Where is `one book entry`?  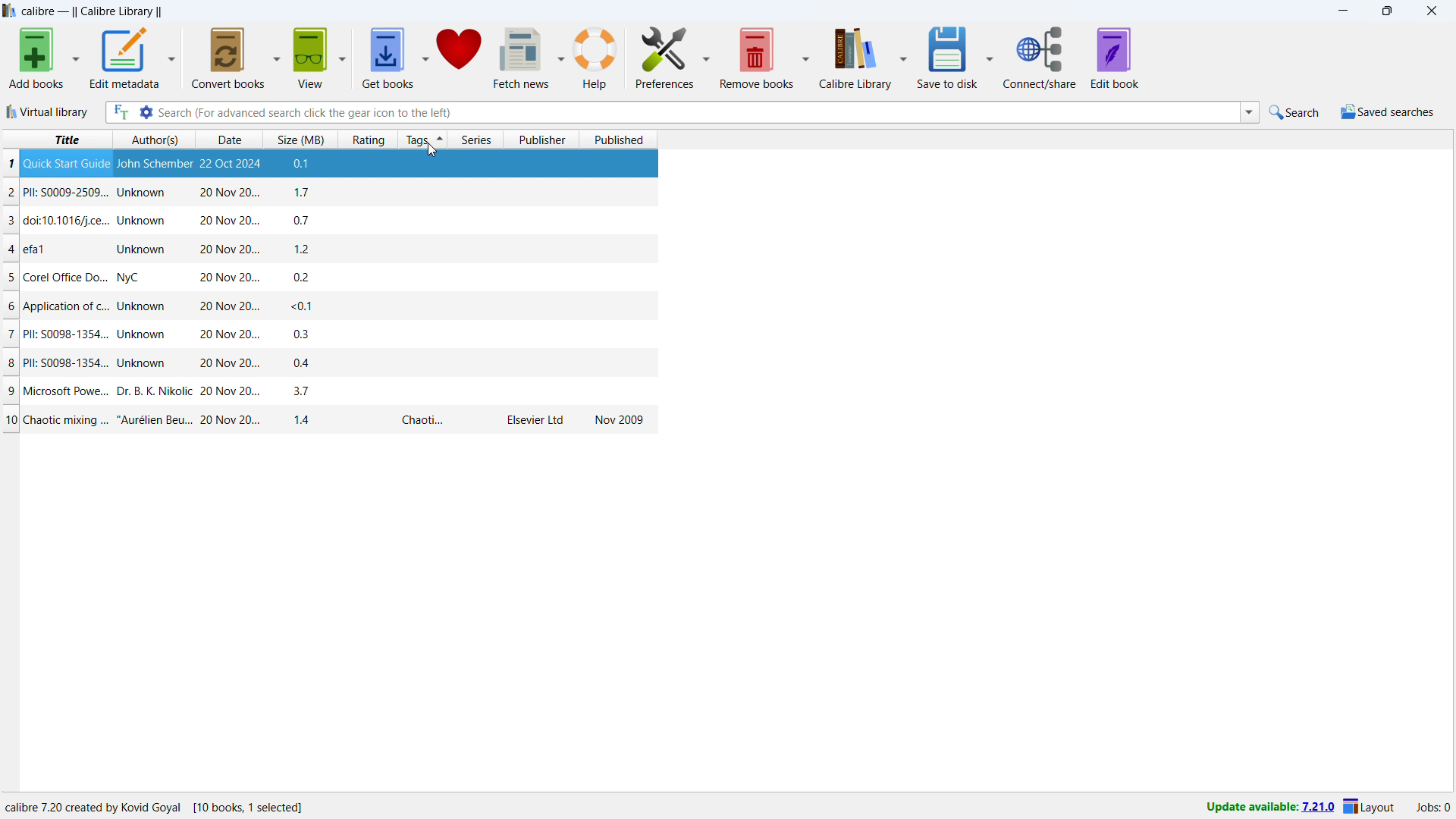
one book entry is located at coordinates (328, 334).